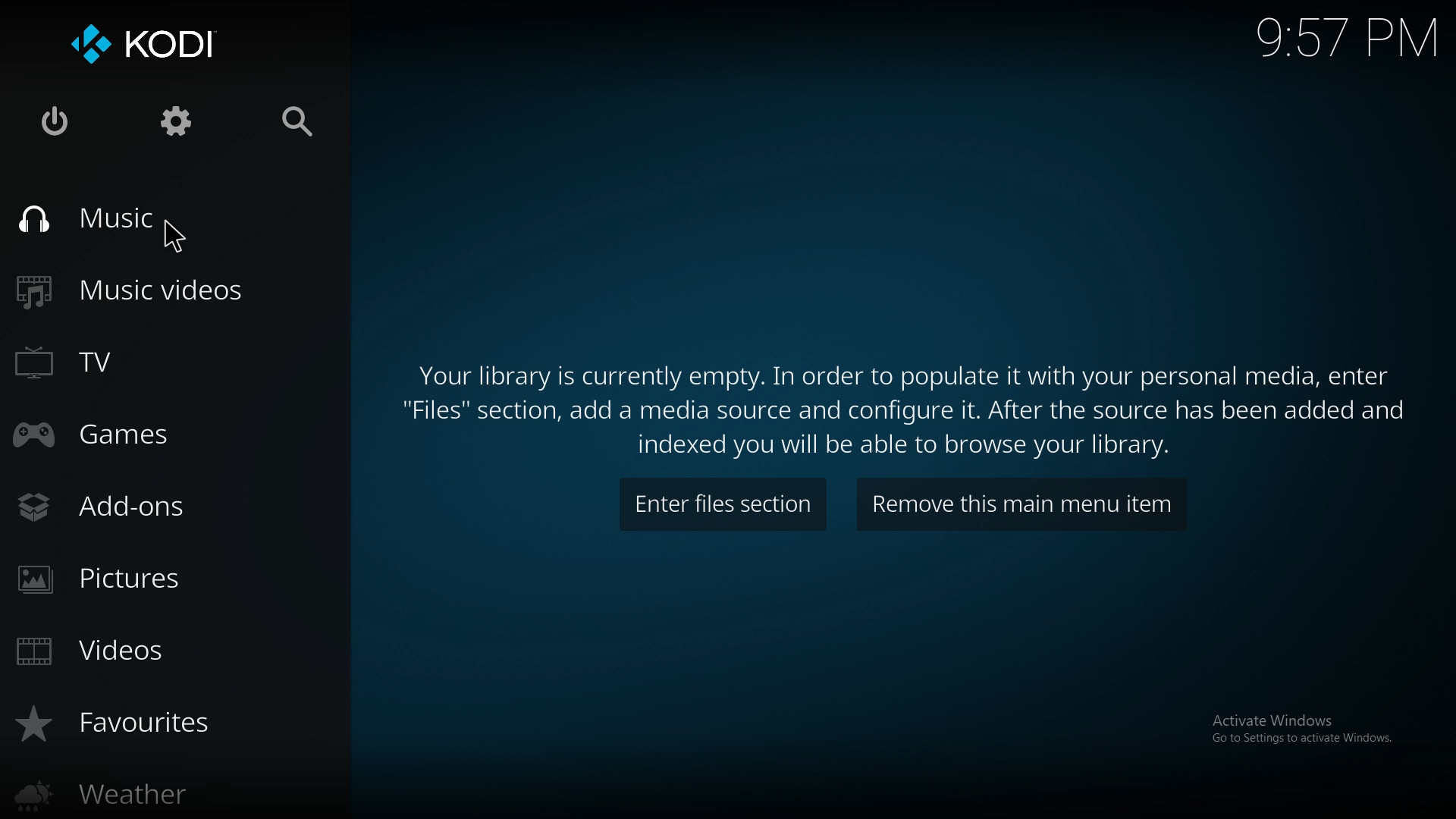 The height and width of the screenshot is (819, 1456). I want to click on Your library is currently empty. In order to populate it with your personal media, enter
"Files" section, add a media source and configure it. After the source has been added and
indexed you will be able to browse your library., so click(902, 410).